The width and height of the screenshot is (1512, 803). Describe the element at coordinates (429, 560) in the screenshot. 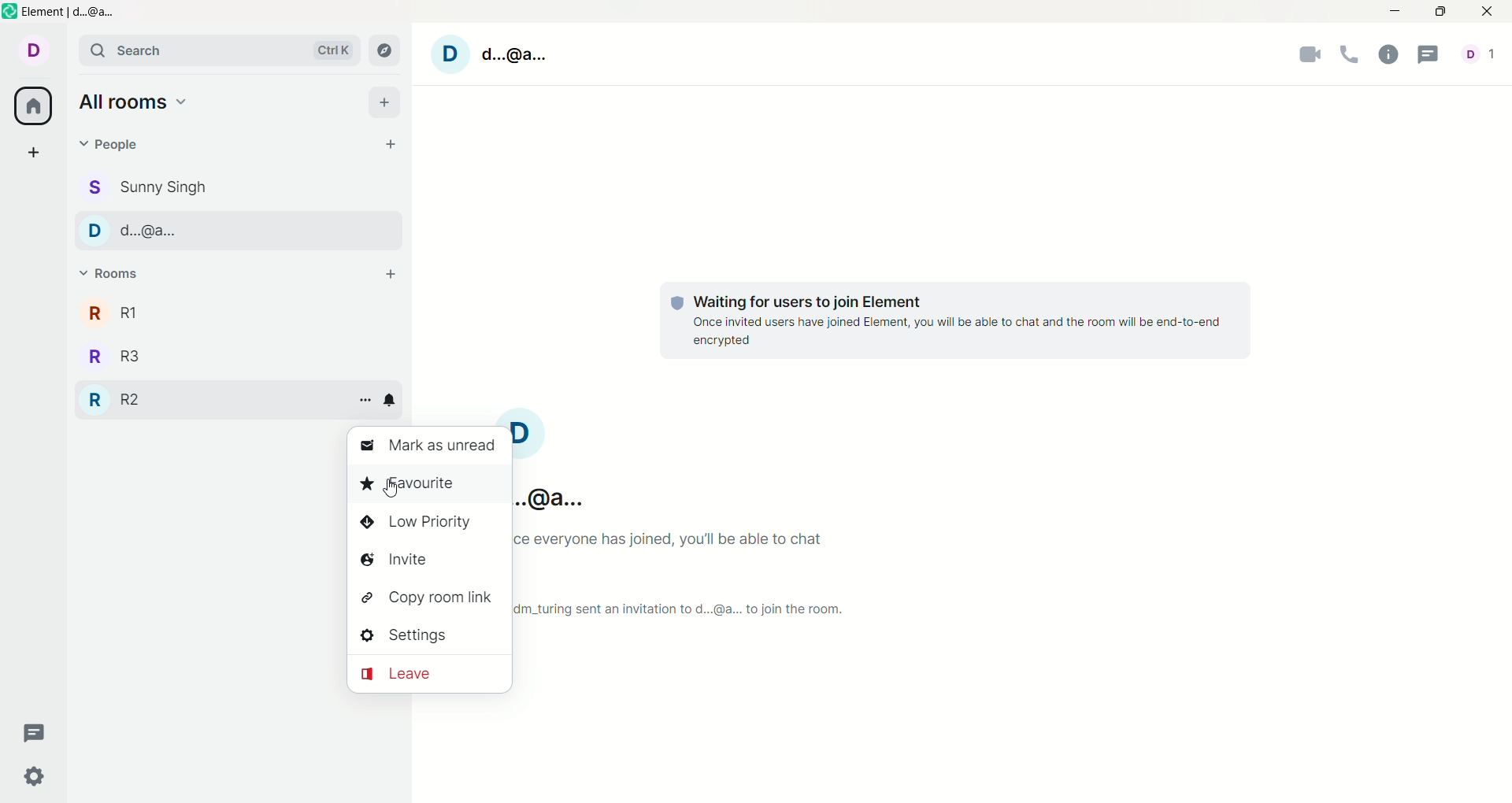

I see `invite` at that location.